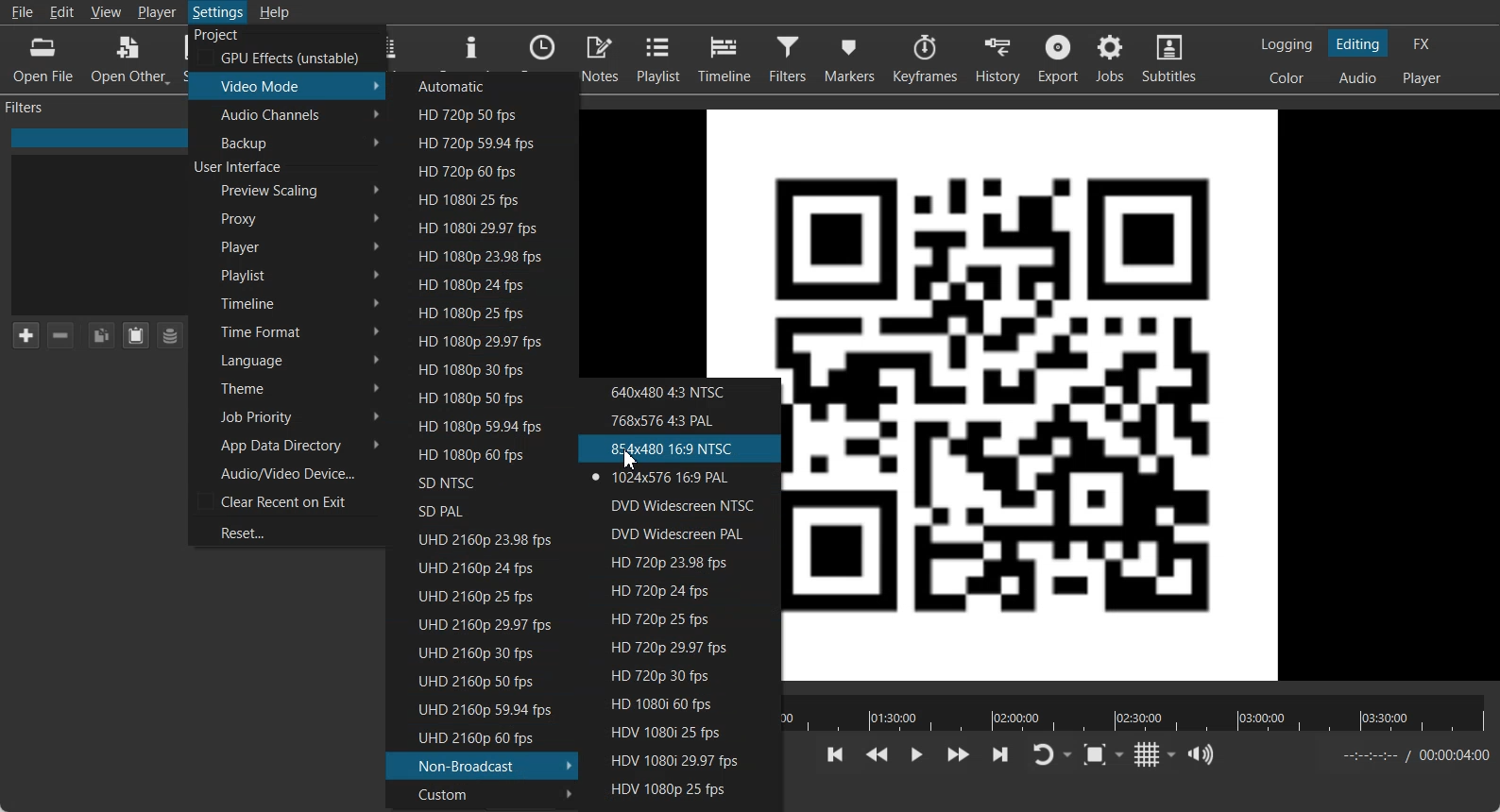 This screenshot has height=812, width=1500. I want to click on Keyframes, so click(924, 59).